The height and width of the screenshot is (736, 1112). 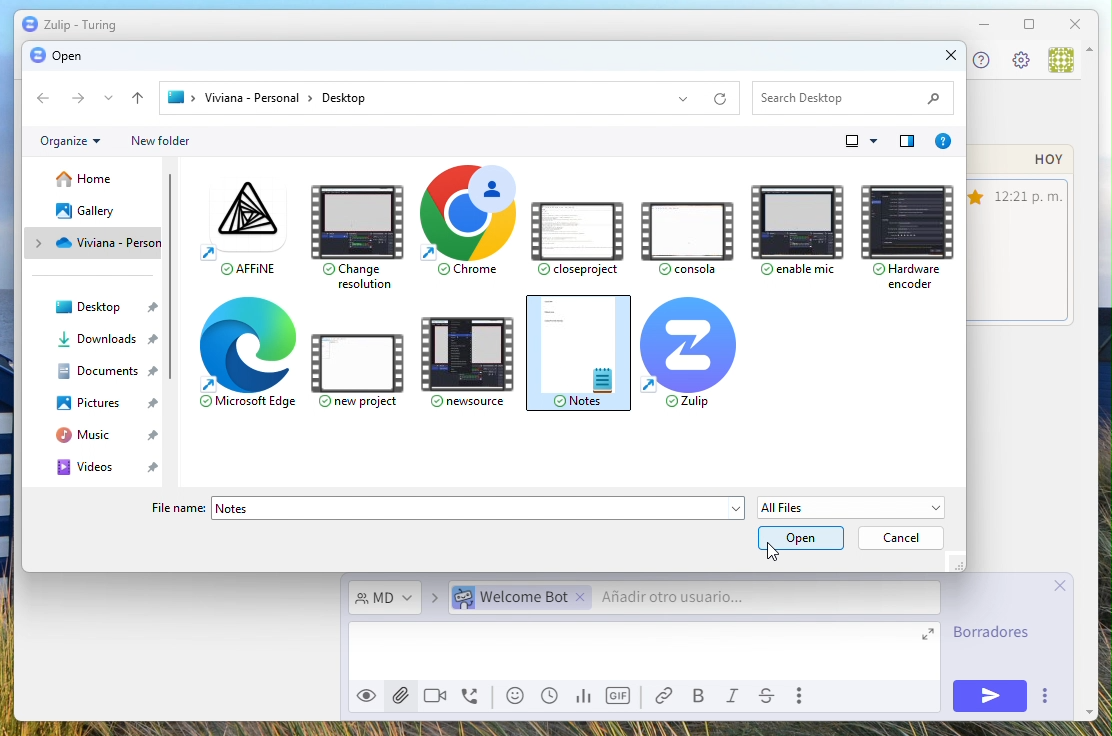 I want to click on Box, so click(x=1028, y=26).